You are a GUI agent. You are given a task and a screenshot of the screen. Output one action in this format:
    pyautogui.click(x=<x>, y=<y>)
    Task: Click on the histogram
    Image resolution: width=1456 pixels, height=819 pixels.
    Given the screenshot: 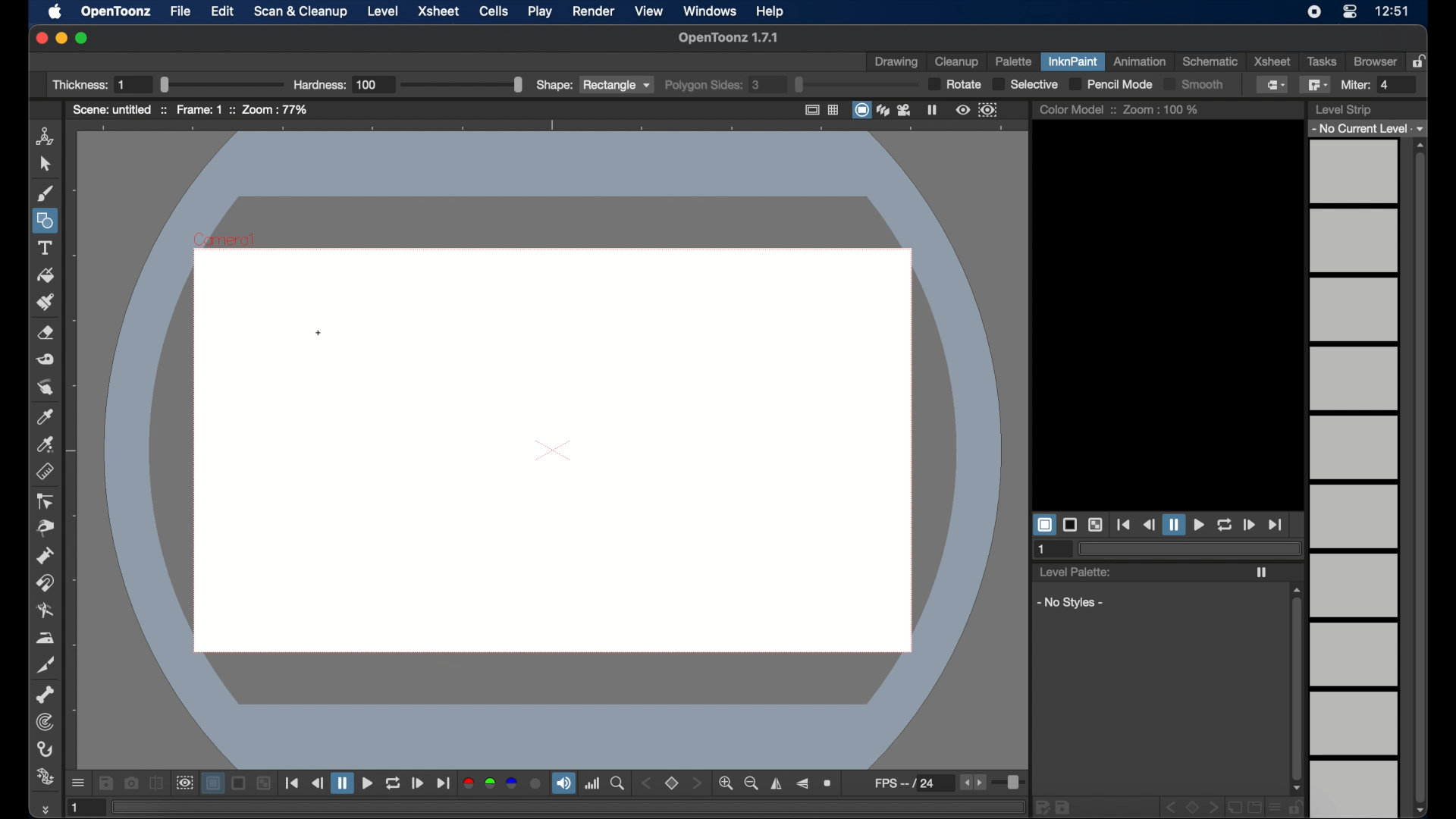 What is the action you would take?
    pyautogui.click(x=592, y=783)
    